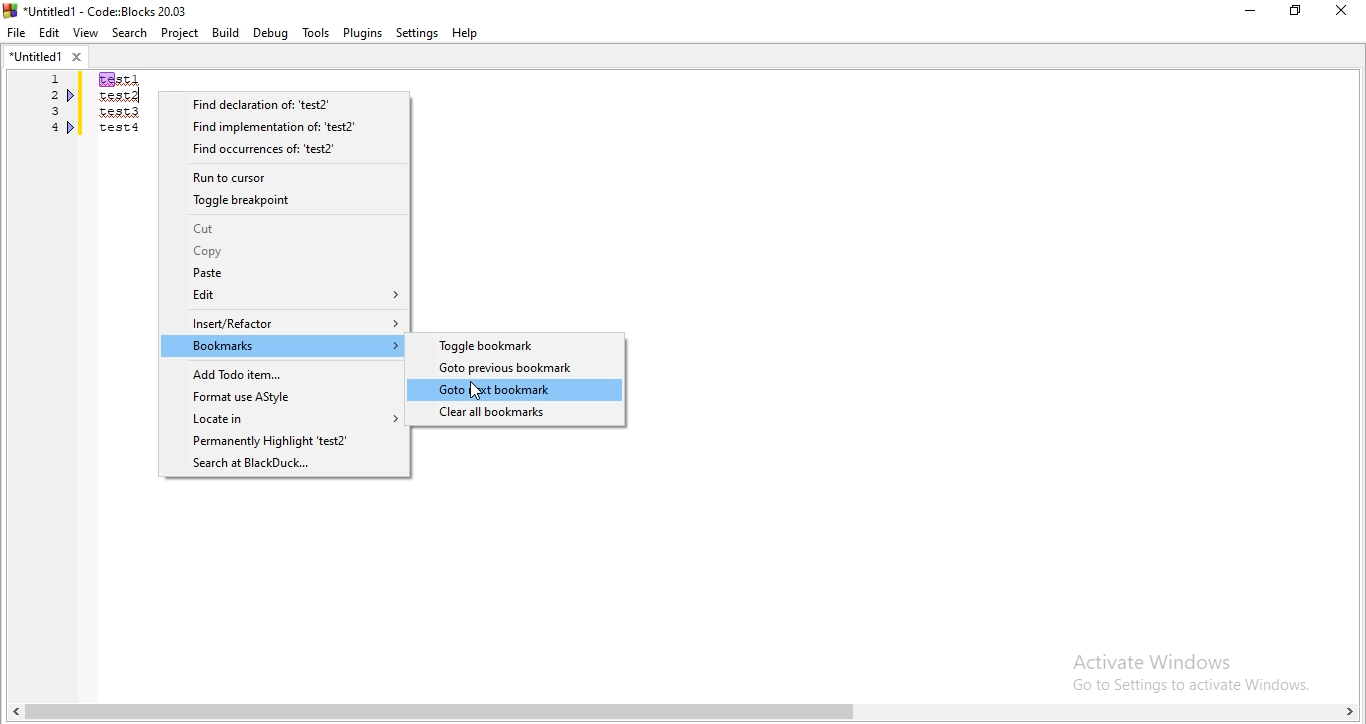  Describe the element at coordinates (286, 252) in the screenshot. I see `Copy` at that location.